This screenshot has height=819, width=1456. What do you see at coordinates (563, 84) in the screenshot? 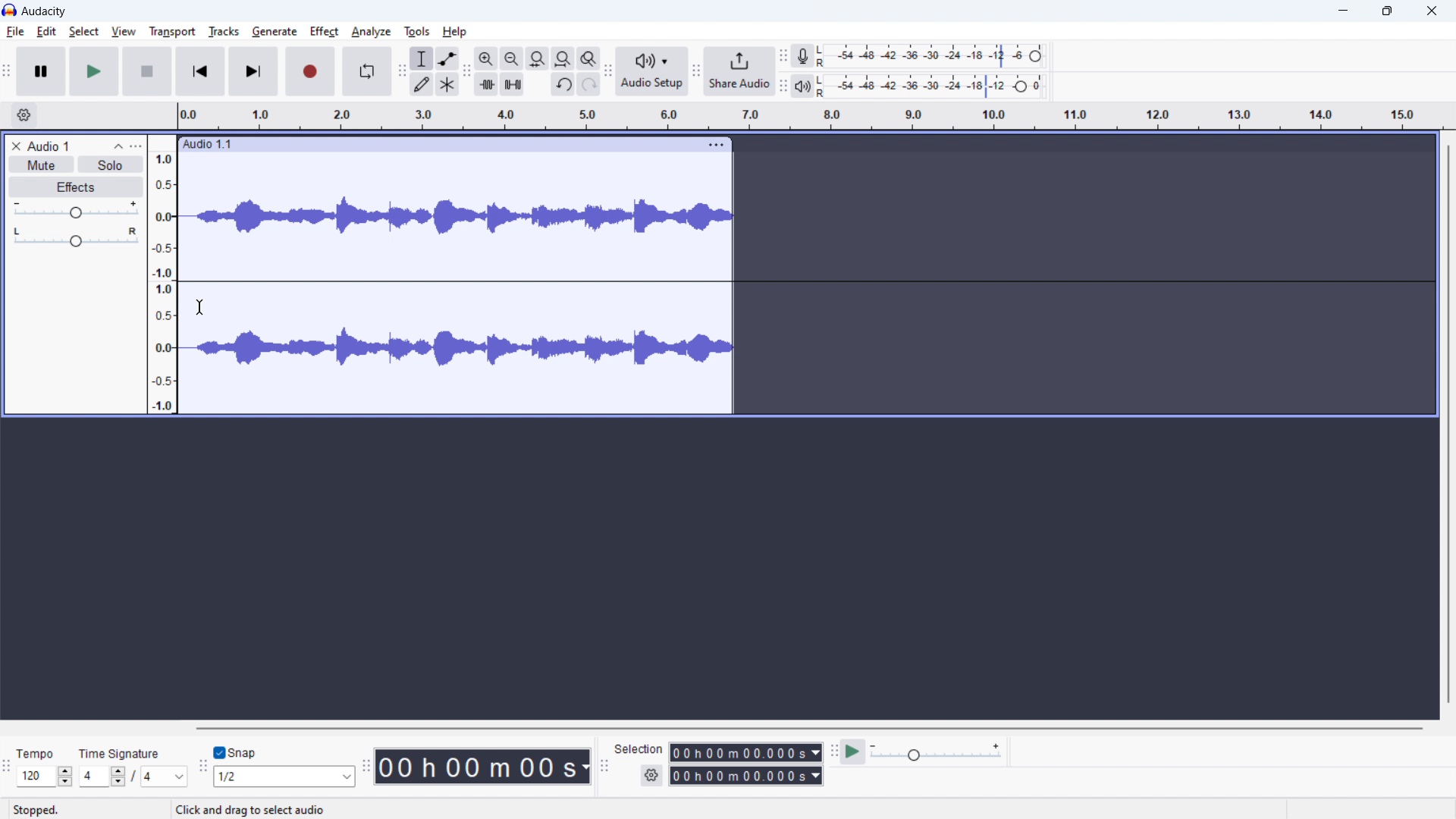
I see `undo` at bounding box center [563, 84].